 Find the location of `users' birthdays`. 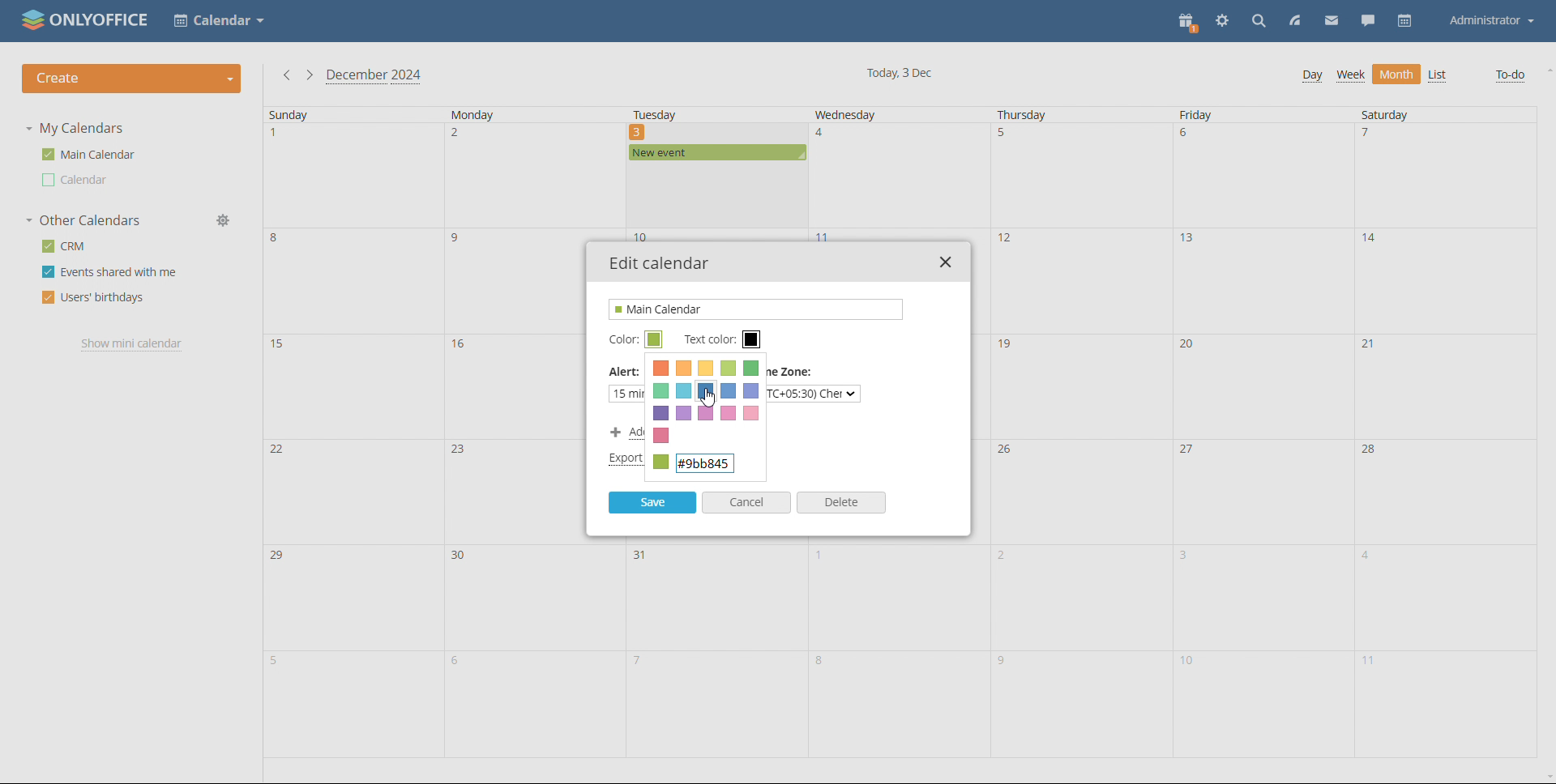

users' birthdays is located at coordinates (92, 298).